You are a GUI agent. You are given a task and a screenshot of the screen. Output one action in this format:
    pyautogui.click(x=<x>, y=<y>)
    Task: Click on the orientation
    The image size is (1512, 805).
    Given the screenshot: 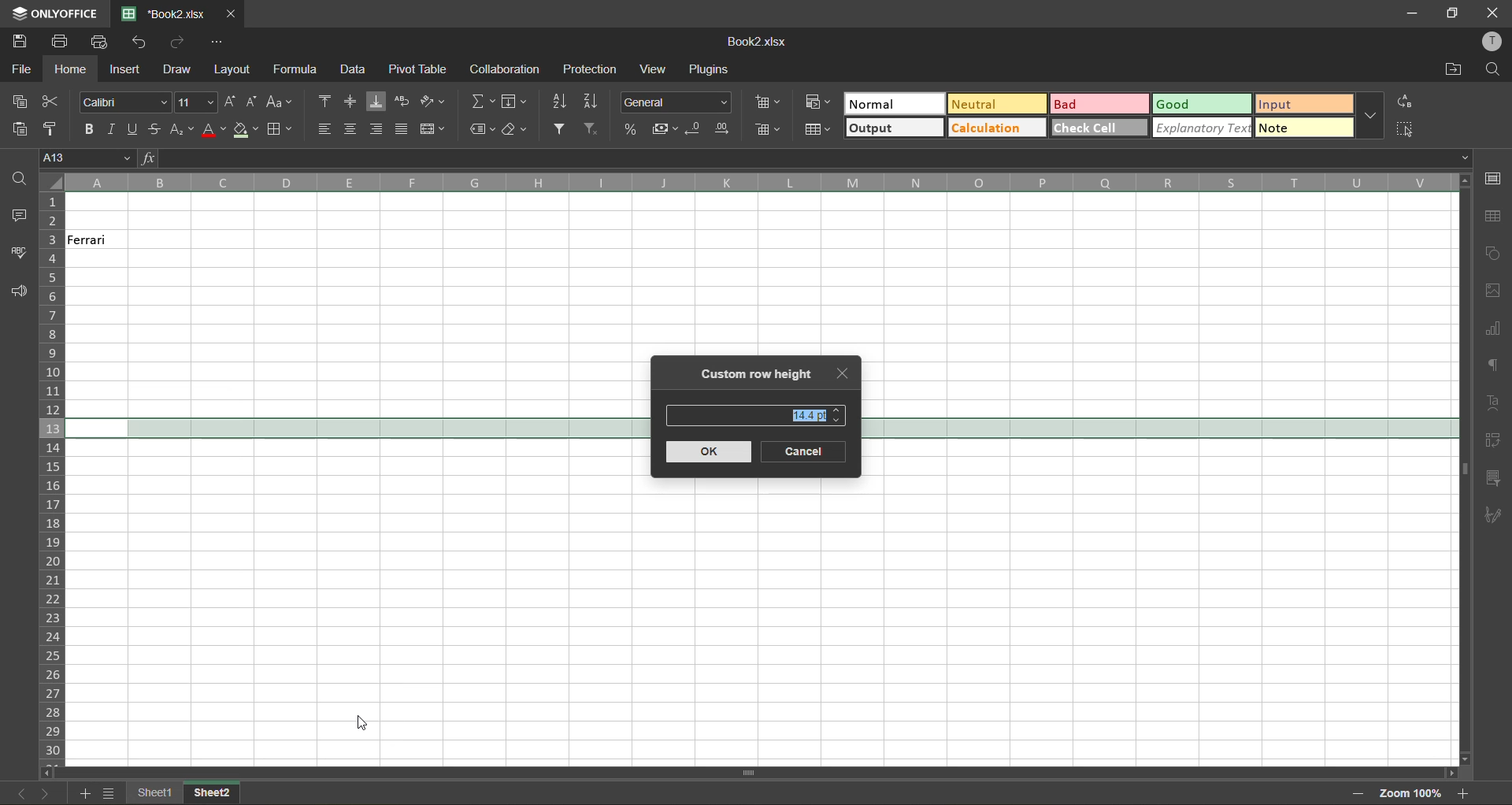 What is the action you would take?
    pyautogui.click(x=435, y=101)
    